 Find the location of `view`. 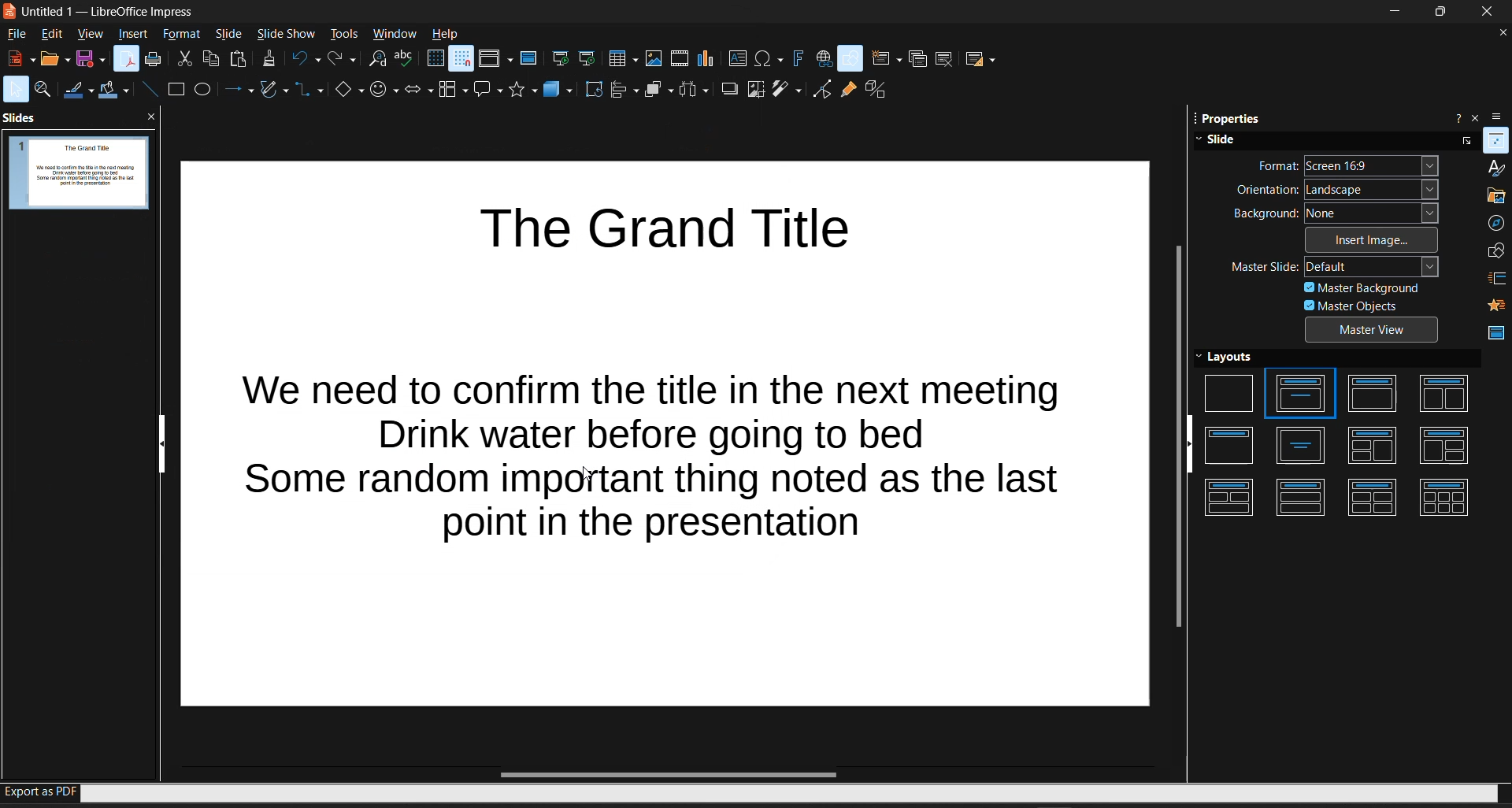

view is located at coordinates (89, 35).